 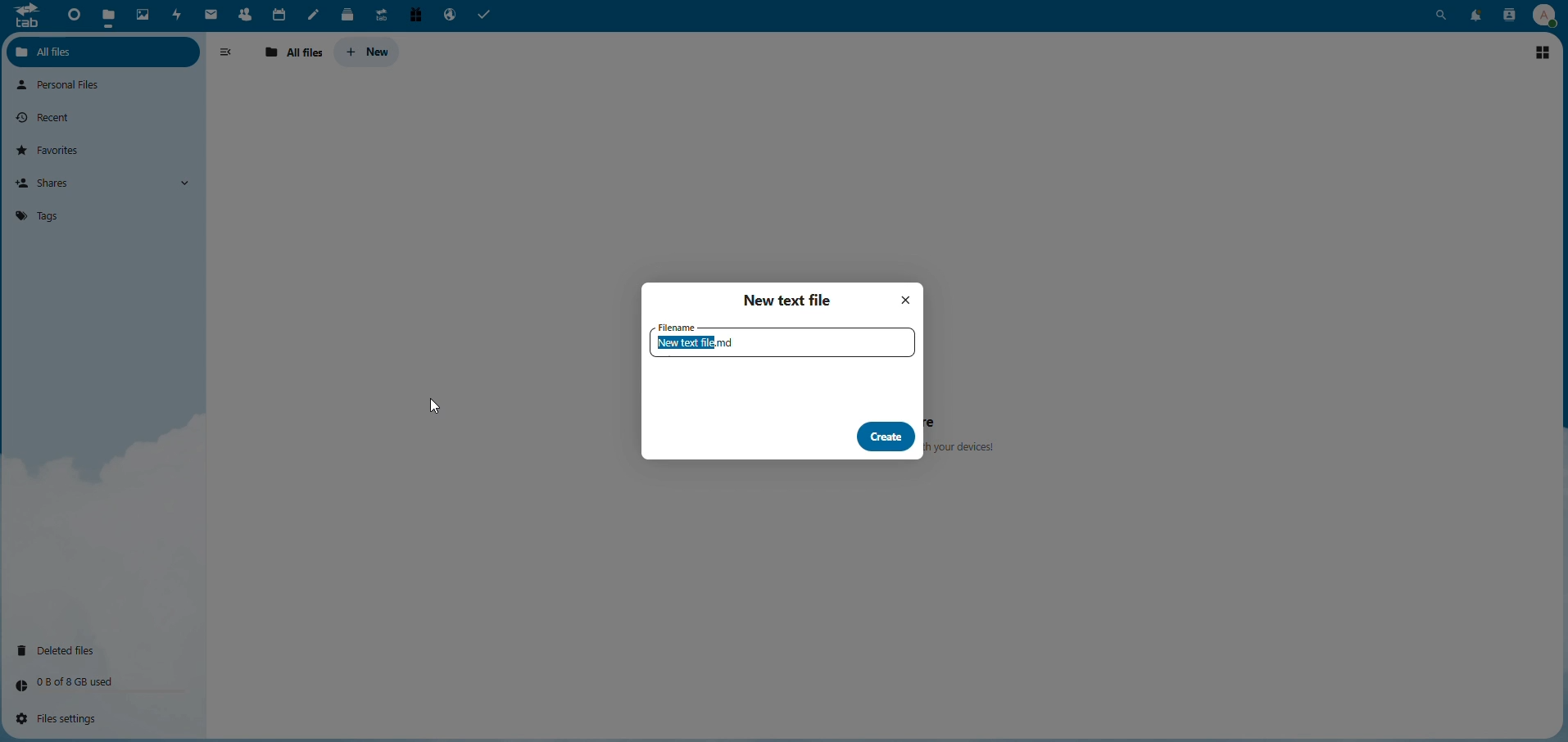 I want to click on Notes, so click(x=314, y=14).